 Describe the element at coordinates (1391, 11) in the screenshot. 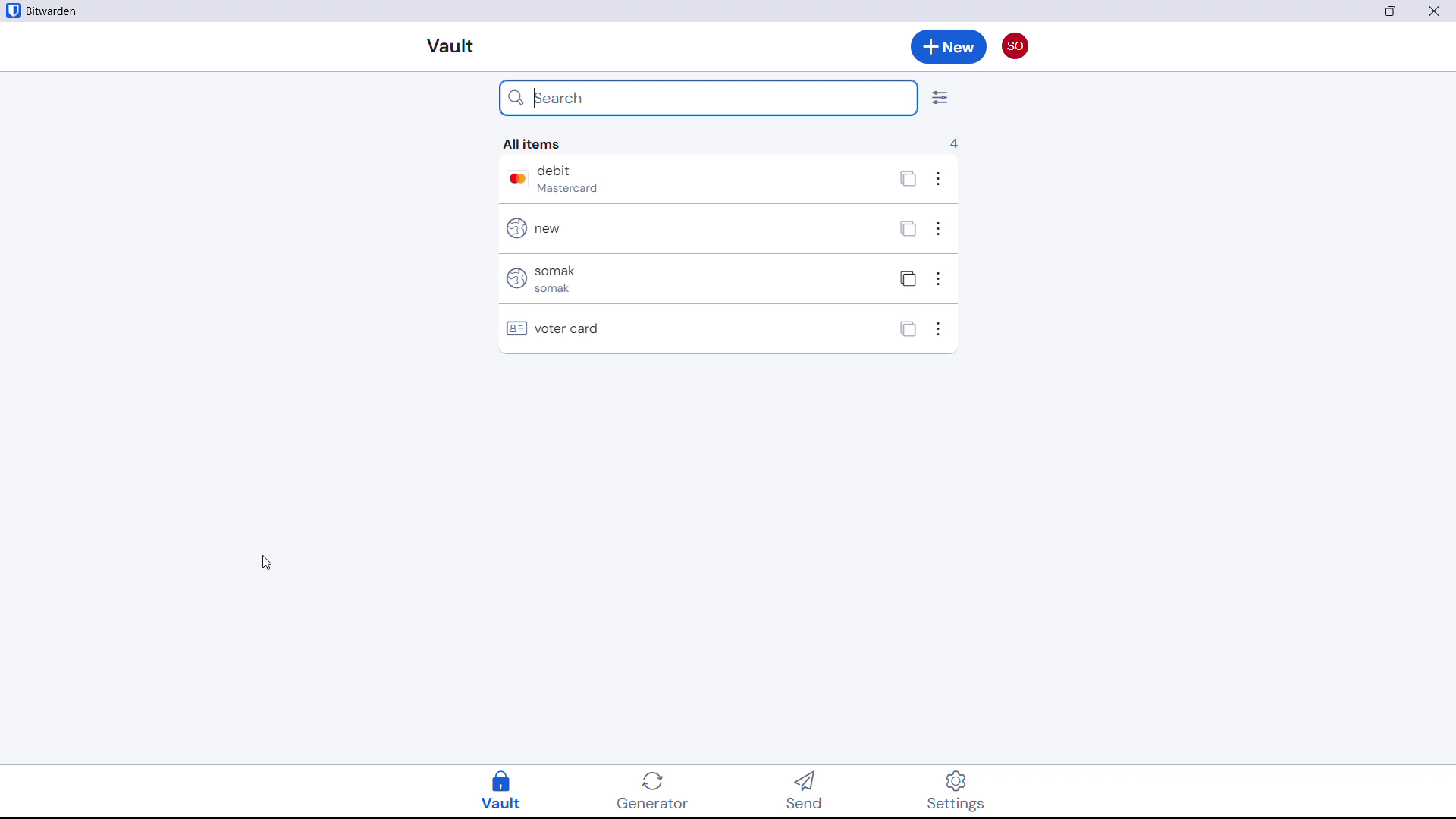

I see `close` at that location.